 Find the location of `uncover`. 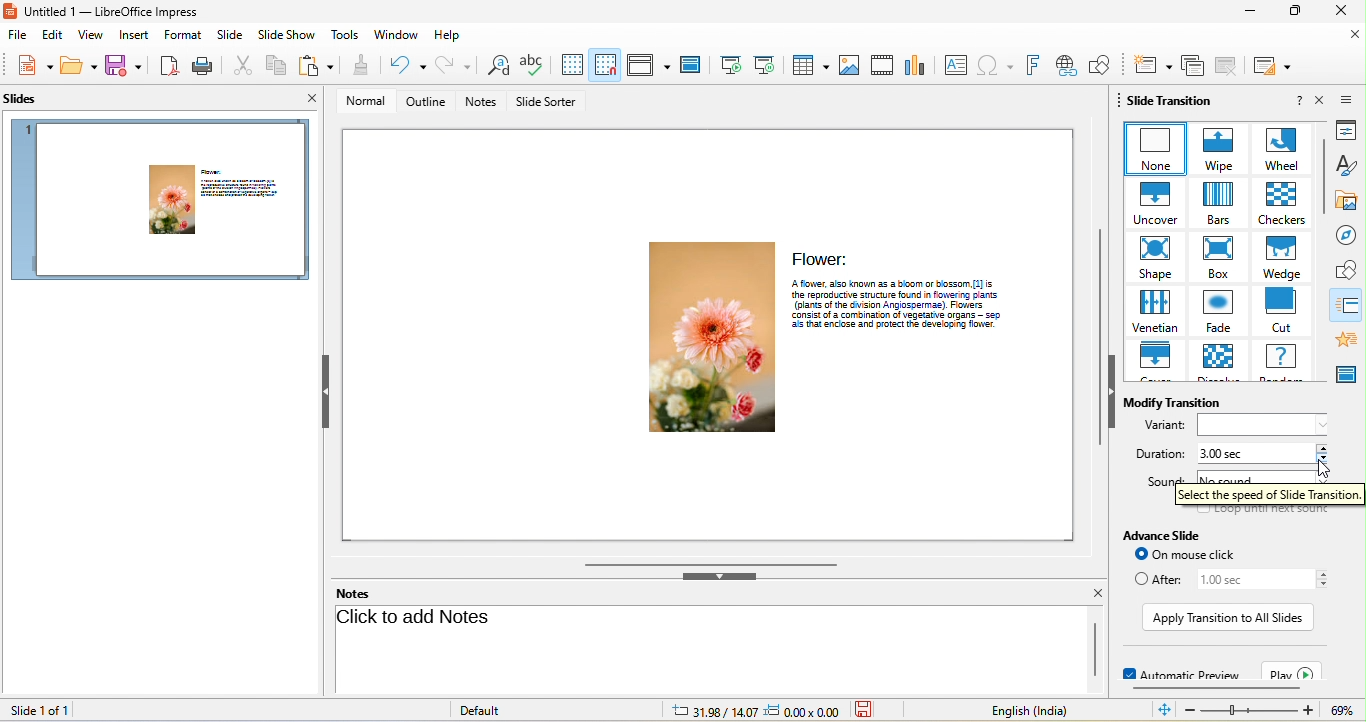

uncover is located at coordinates (1151, 203).